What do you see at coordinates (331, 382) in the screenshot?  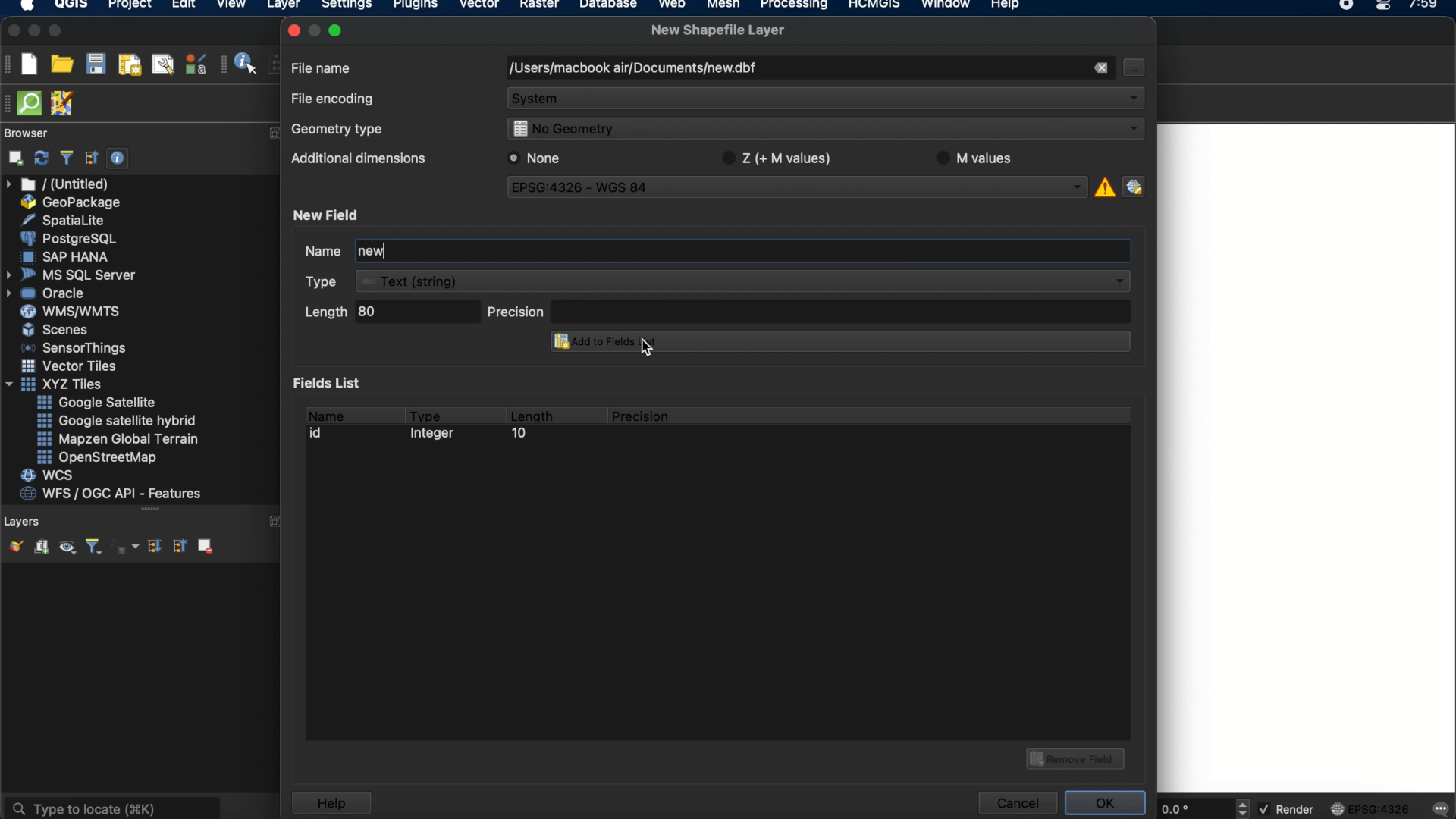 I see `fields list` at bounding box center [331, 382].